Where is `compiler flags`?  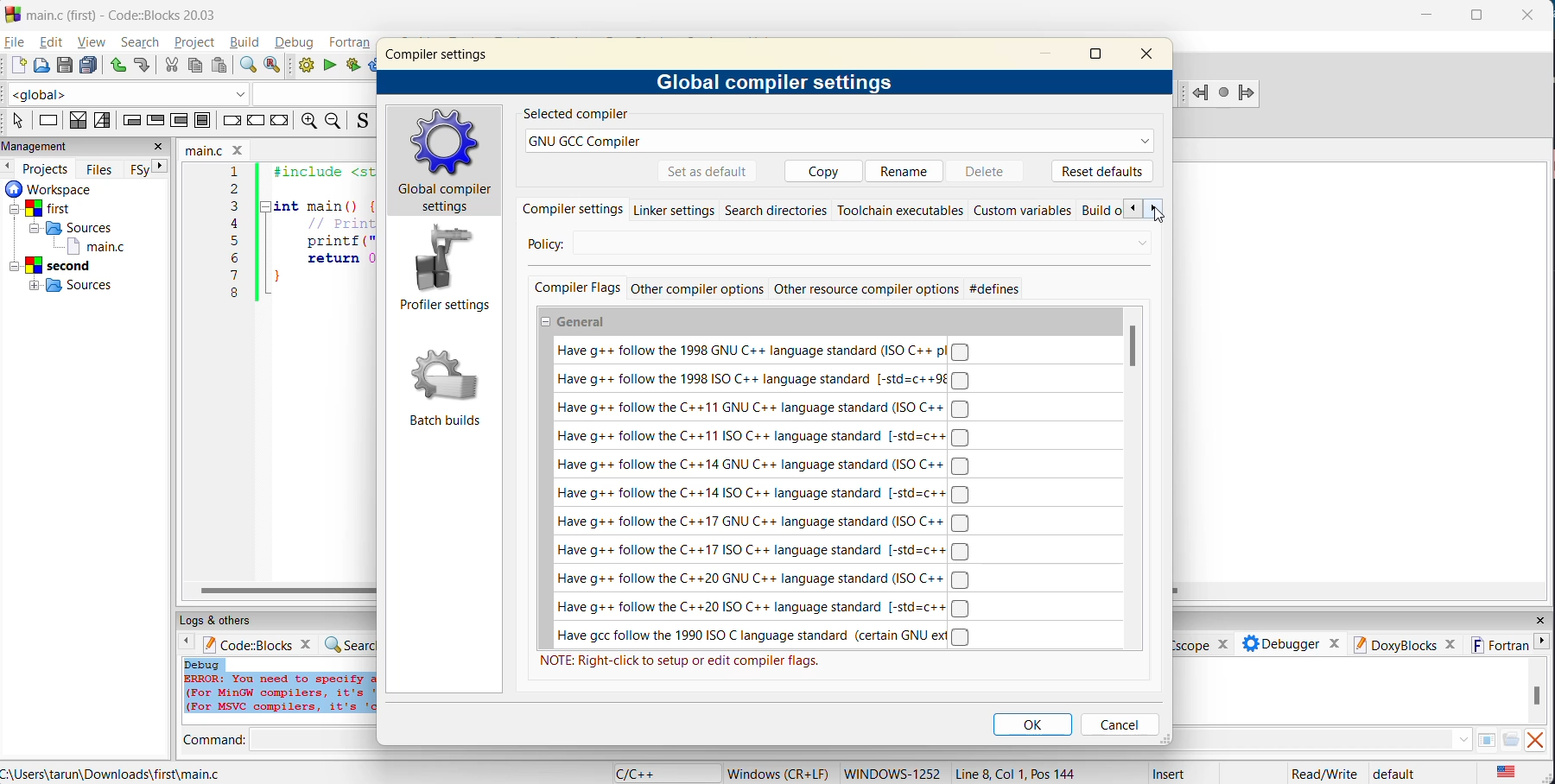
compiler flags is located at coordinates (574, 287).